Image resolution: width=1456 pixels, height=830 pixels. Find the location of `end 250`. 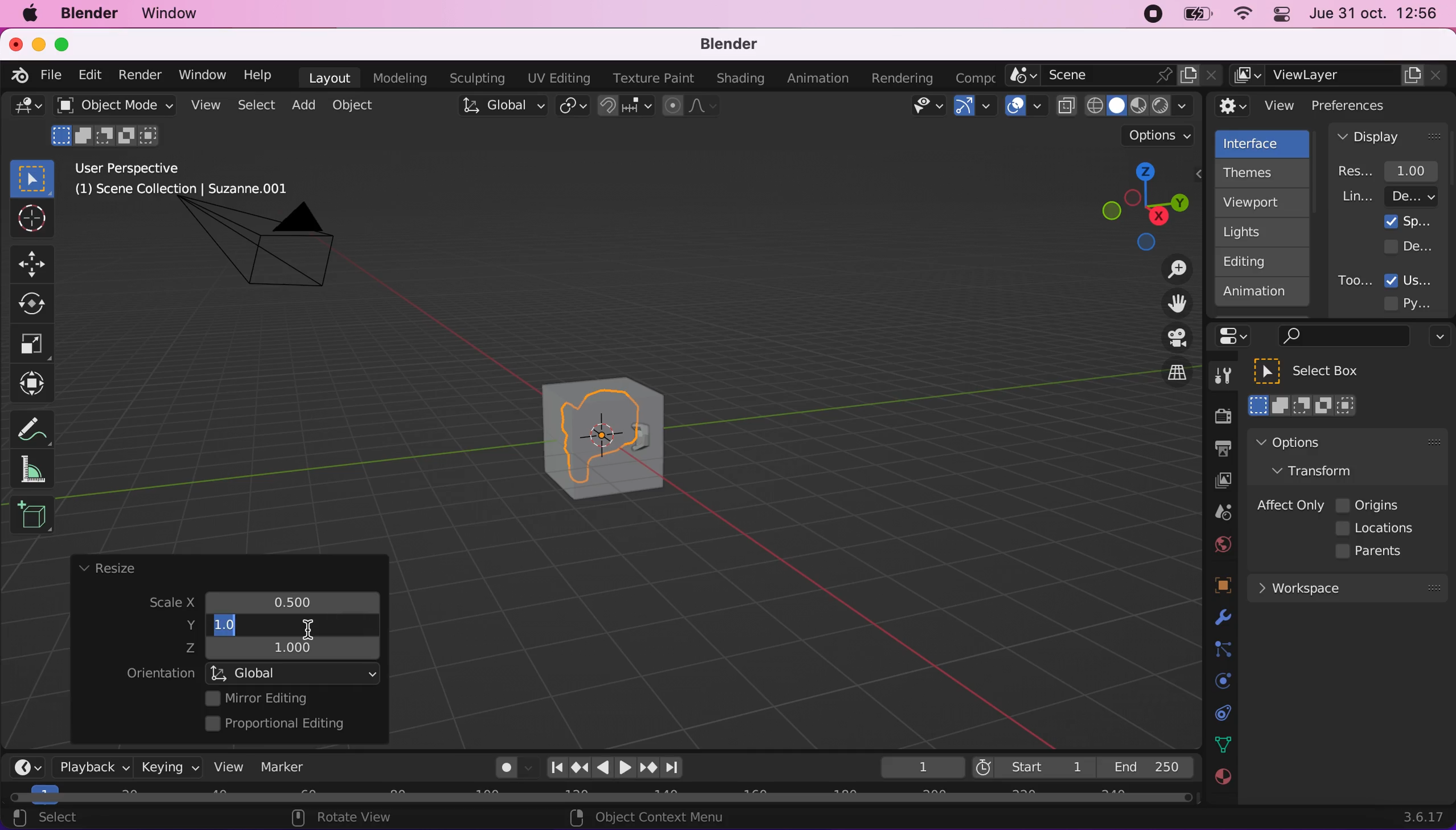

end 250 is located at coordinates (1145, 766).